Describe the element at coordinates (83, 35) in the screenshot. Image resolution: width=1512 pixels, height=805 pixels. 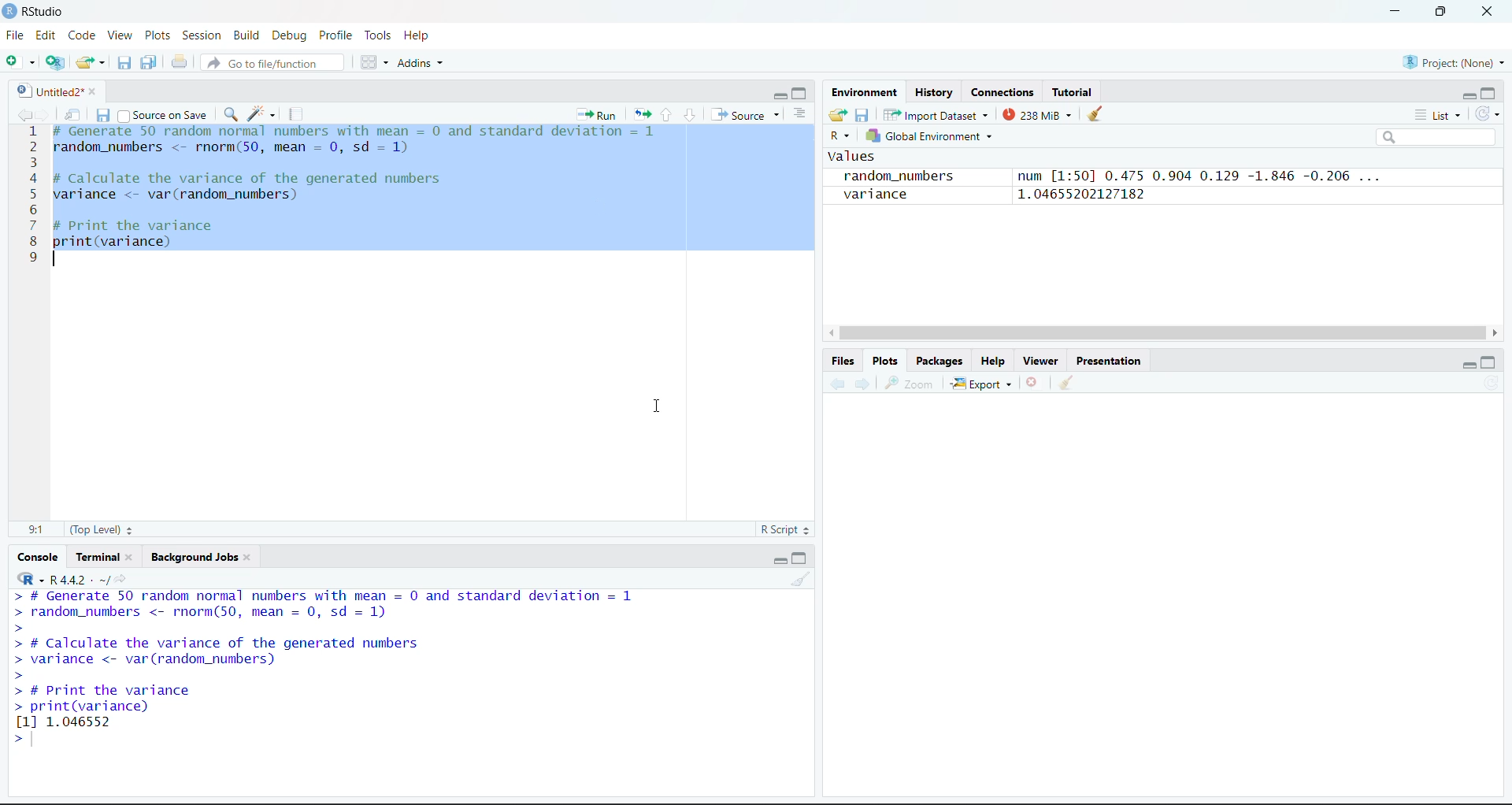
I see `Code` at that location.